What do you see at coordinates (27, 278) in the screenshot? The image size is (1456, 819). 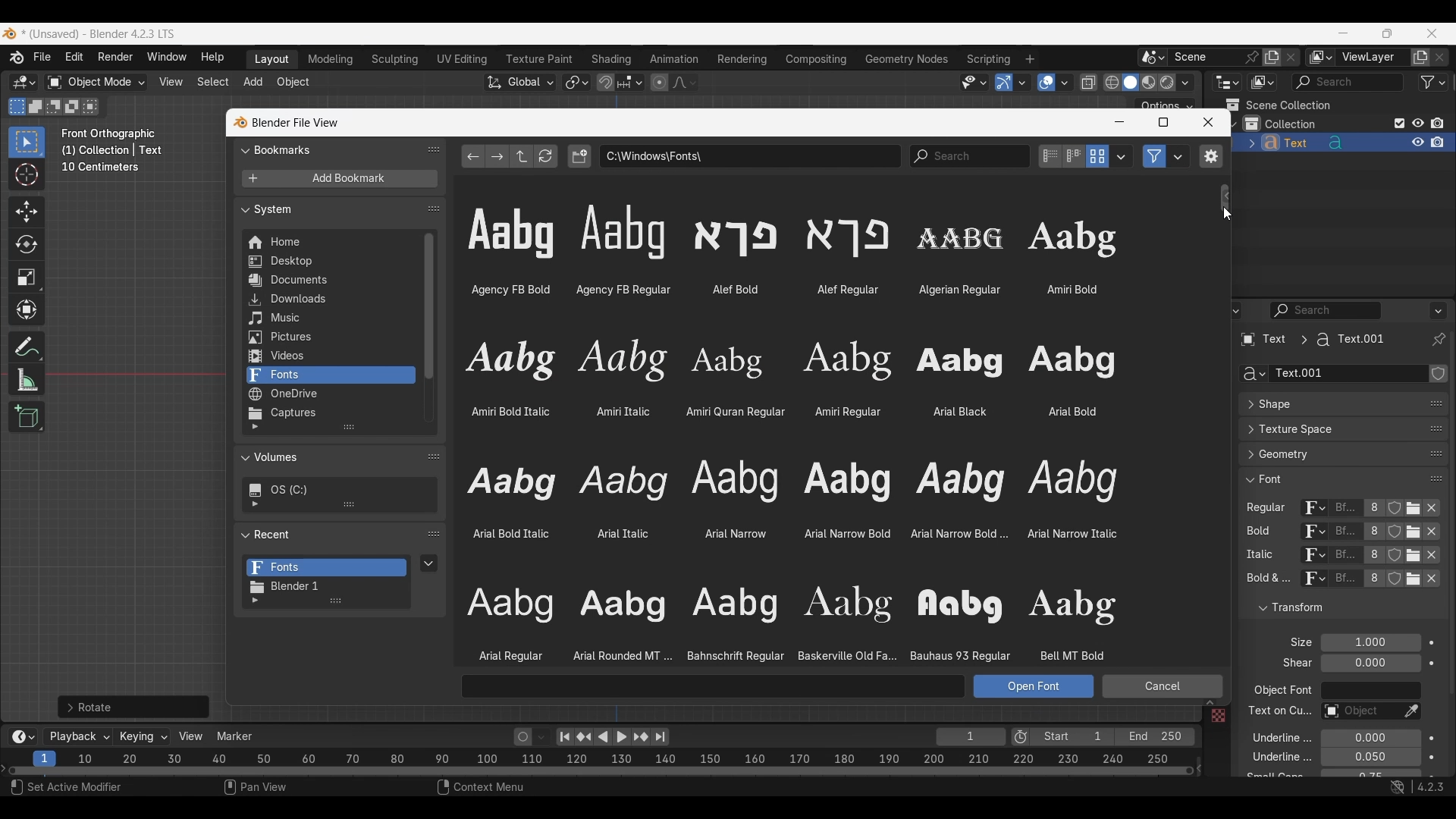 I see `Scale` at bounding box center [27, 278].